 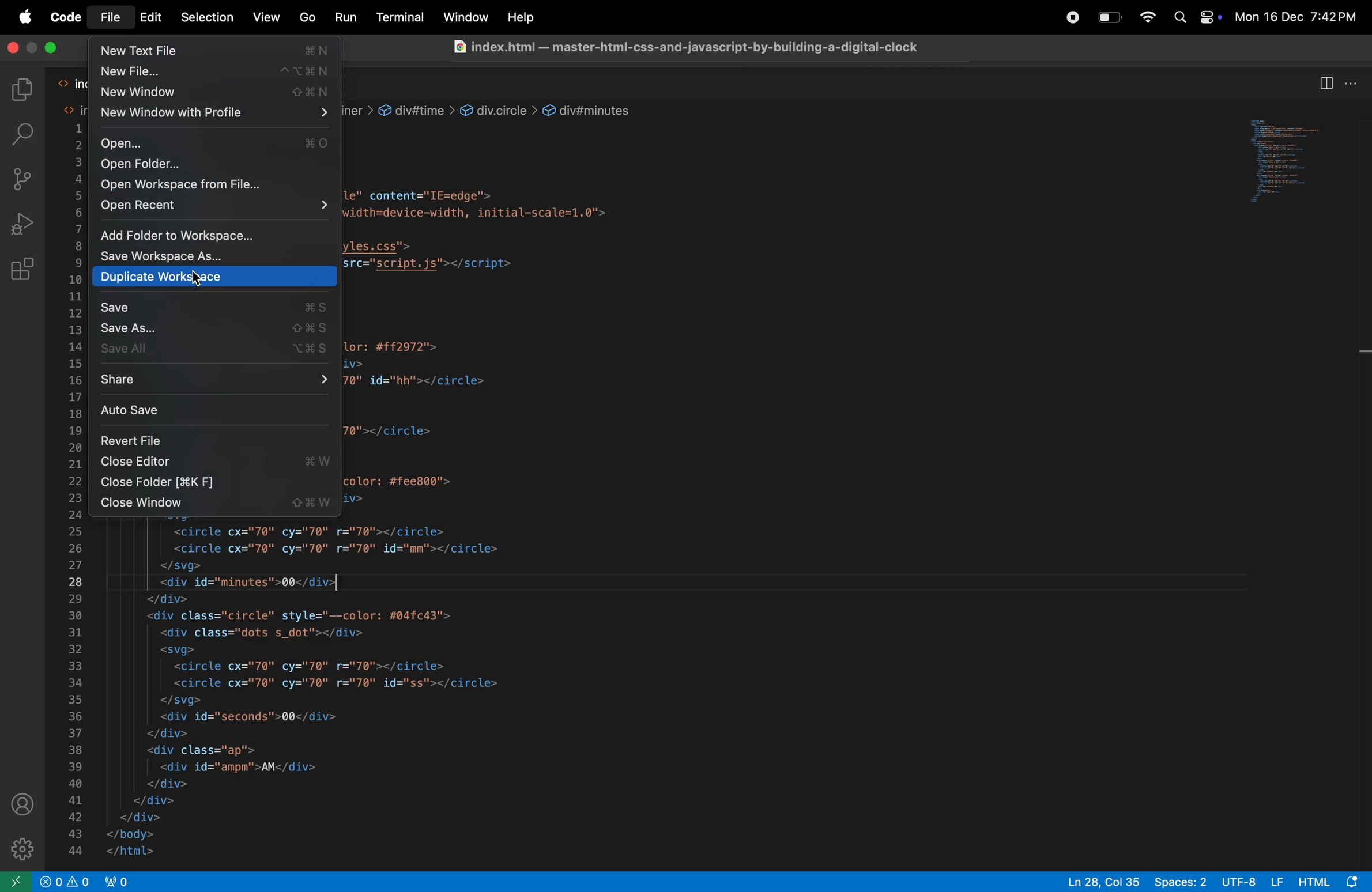 I want to click on window, so click(x=1297, y=160).